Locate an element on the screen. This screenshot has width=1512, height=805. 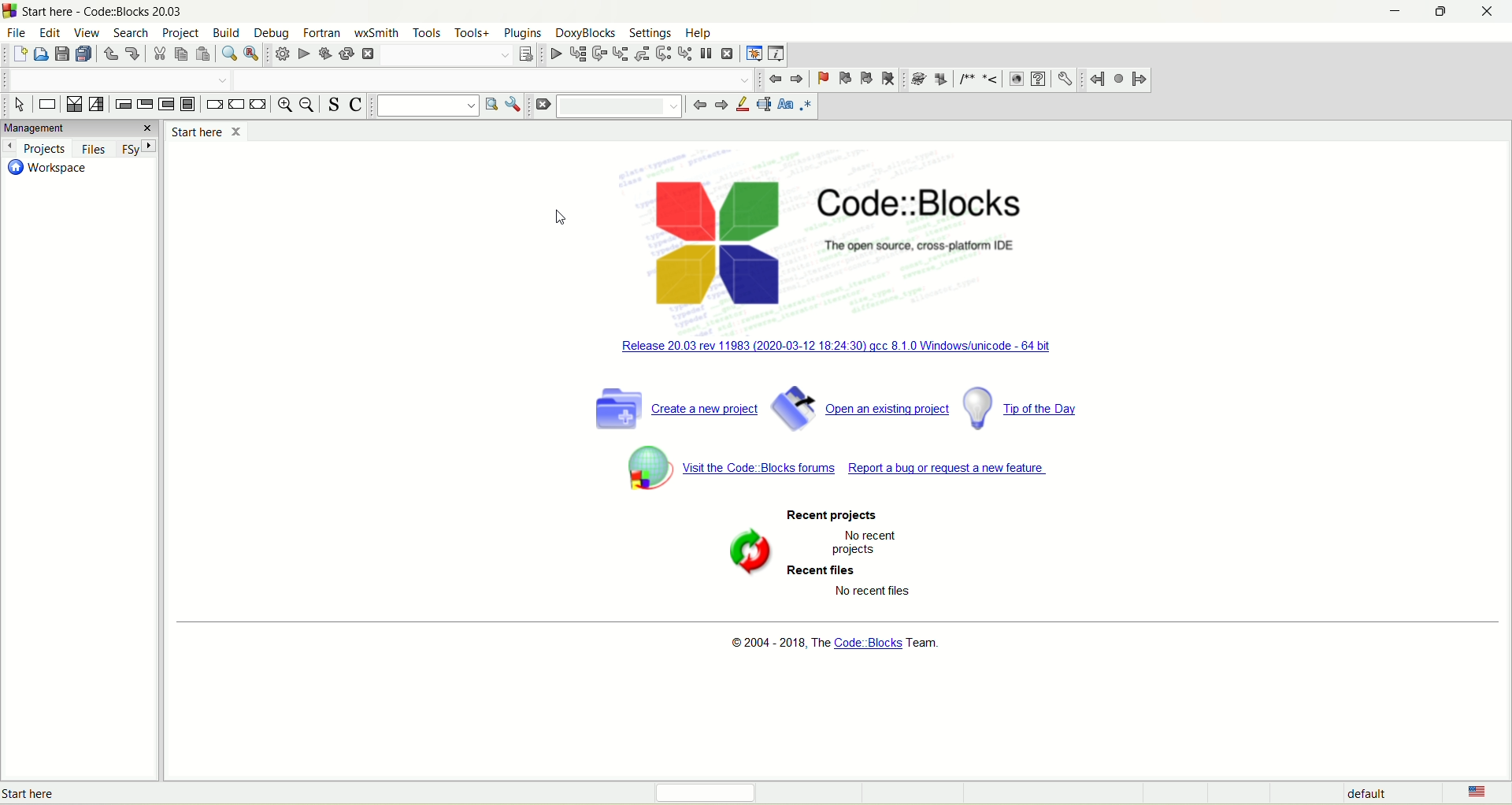
cut is located at coordinates (158, 54).